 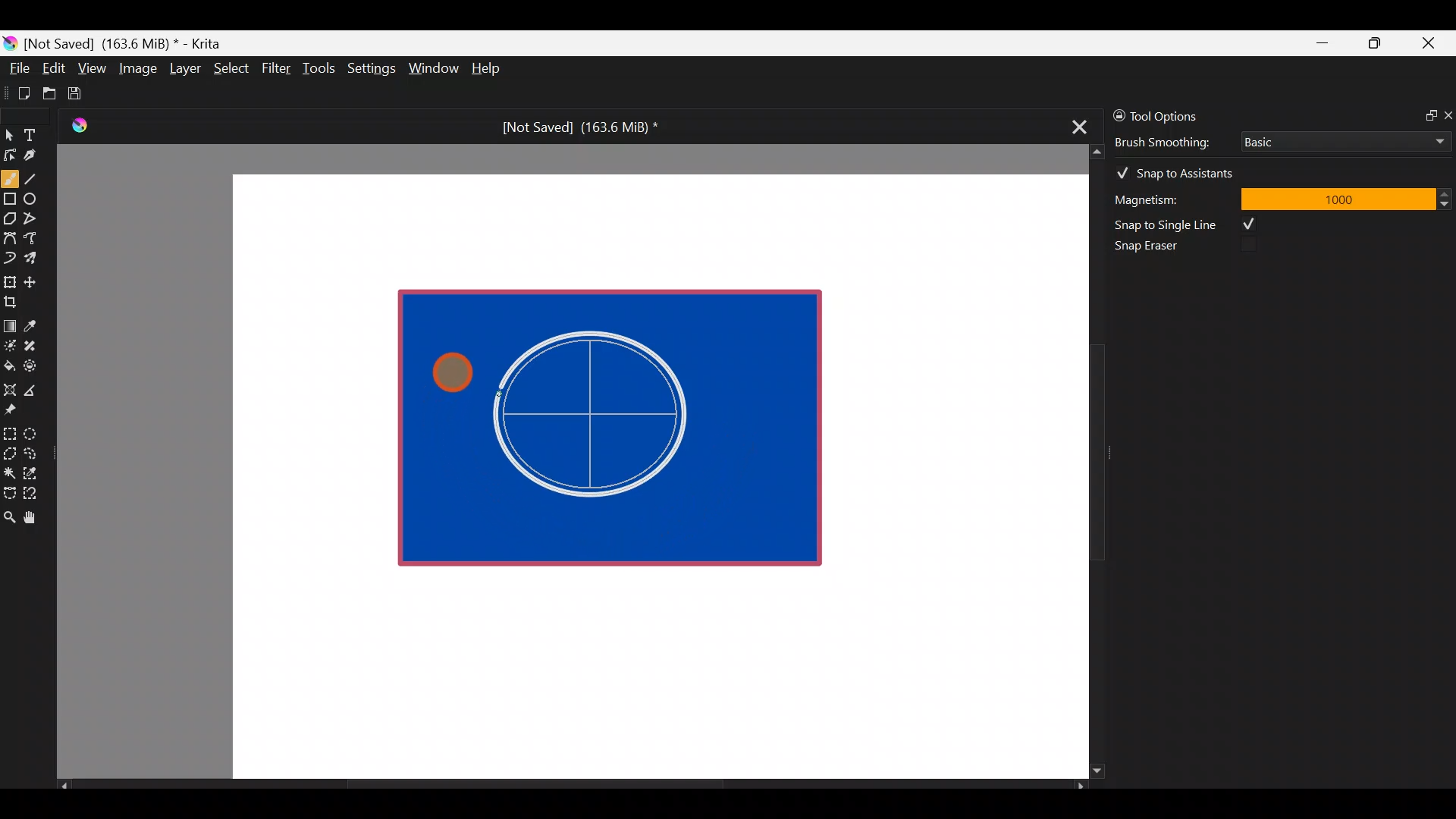 I want to click on Save, so click(x=85, y=93).